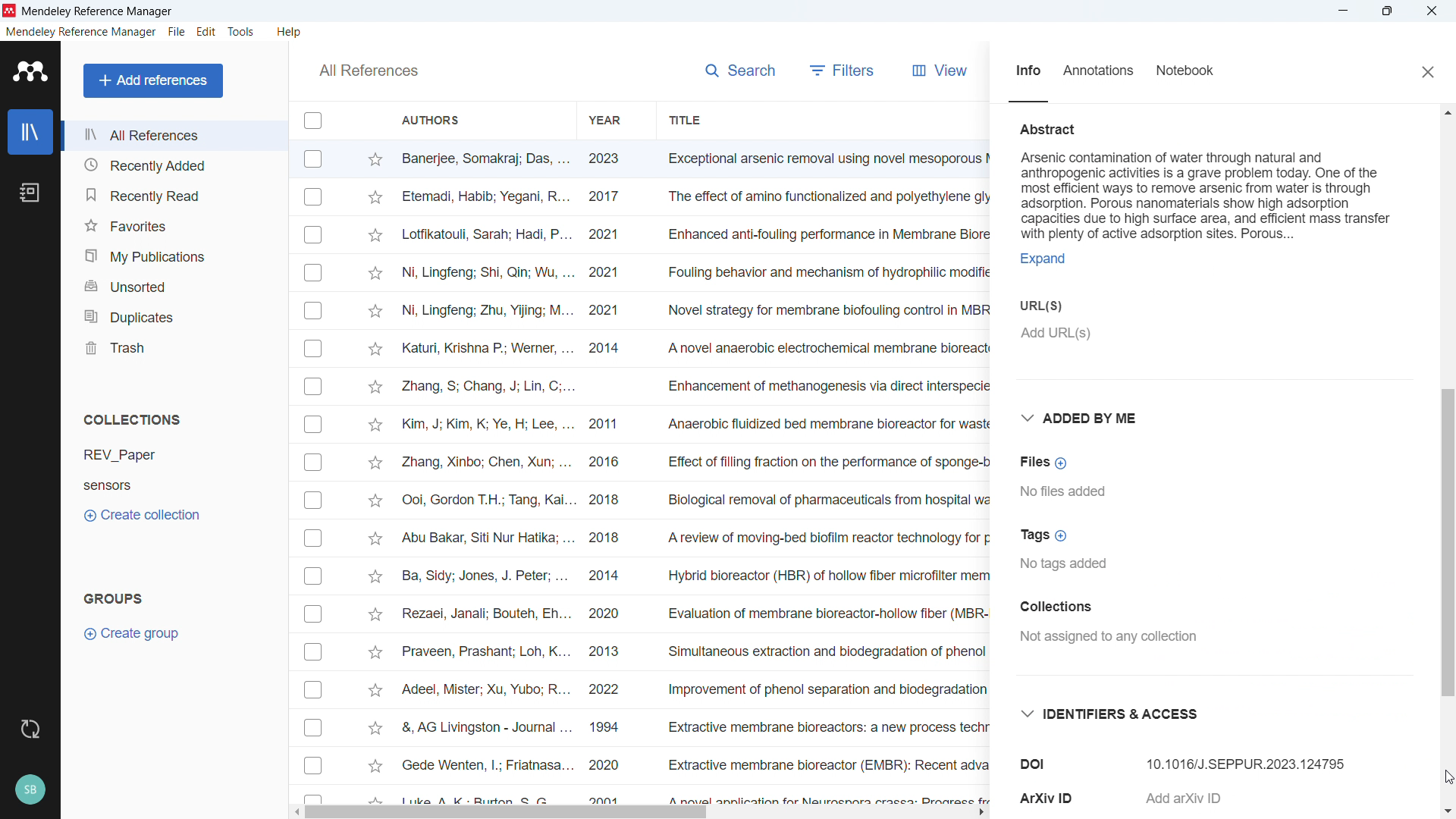 The image size is (1456, 819). What do you see at coordinates (1082, 607) in the screenshot?
I see `Collections` at bounding box center [1082, 607].